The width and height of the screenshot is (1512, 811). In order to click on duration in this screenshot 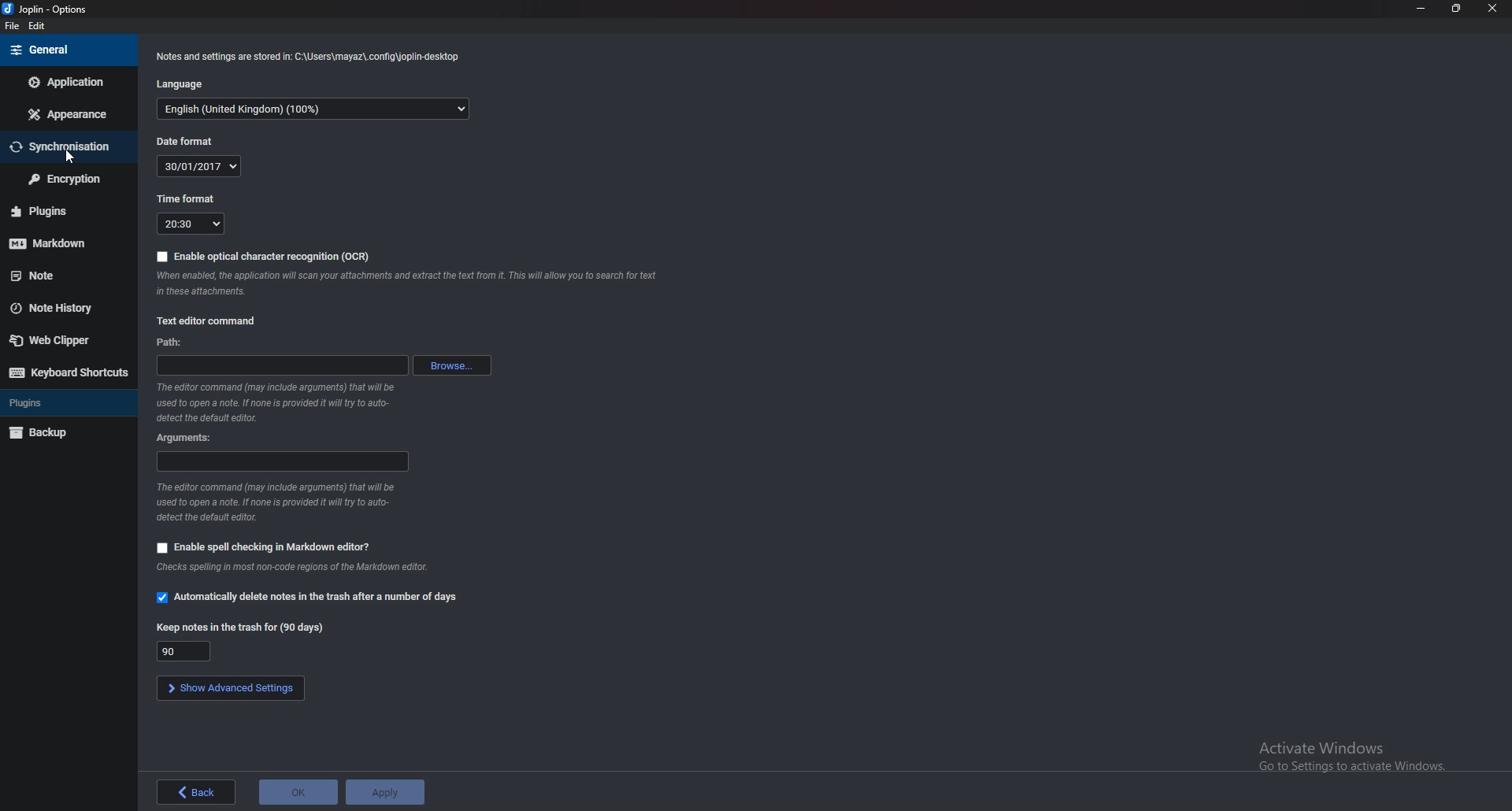, I will do `click(185, 651)`.